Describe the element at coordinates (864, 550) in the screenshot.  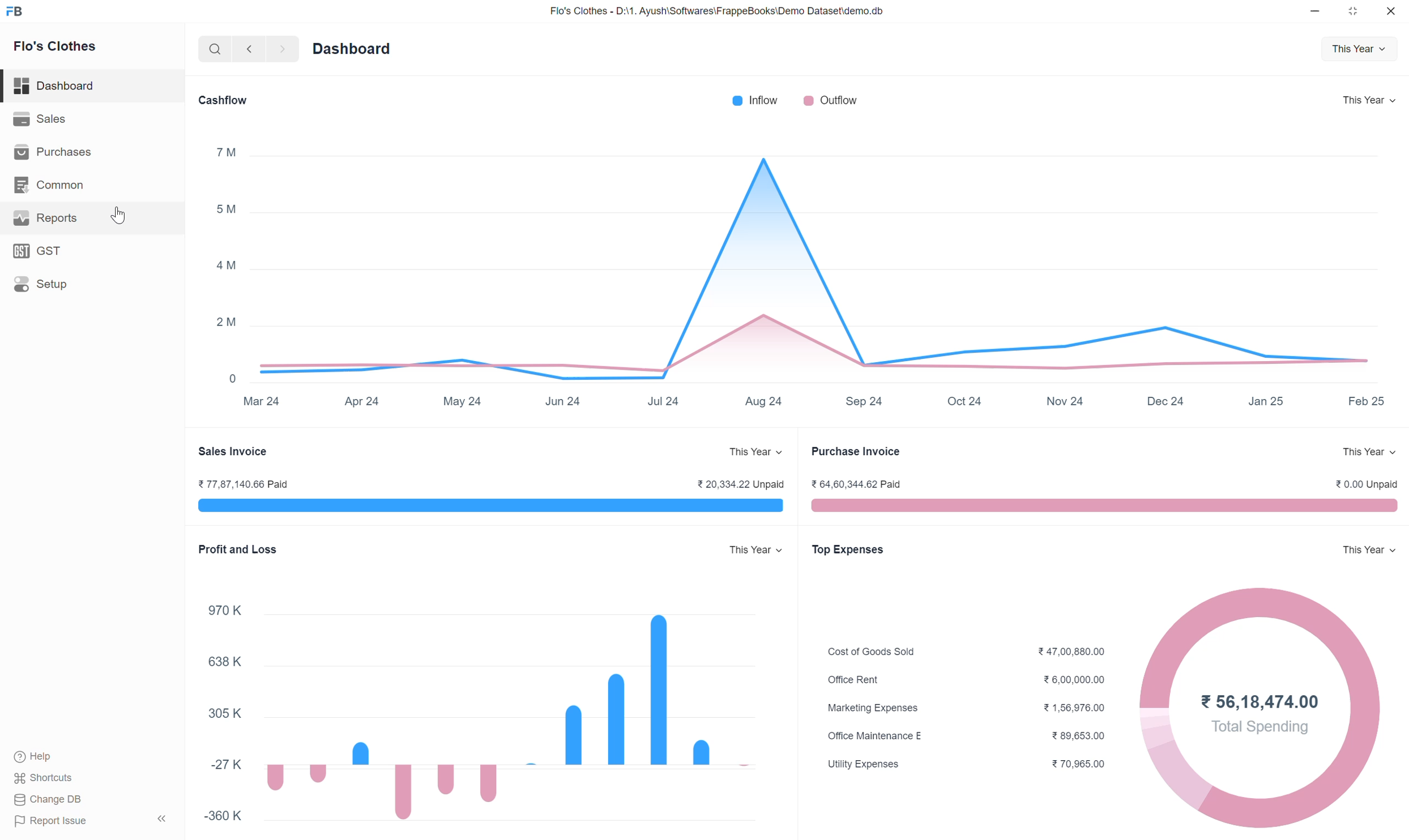
I see `top expenses` at that location.